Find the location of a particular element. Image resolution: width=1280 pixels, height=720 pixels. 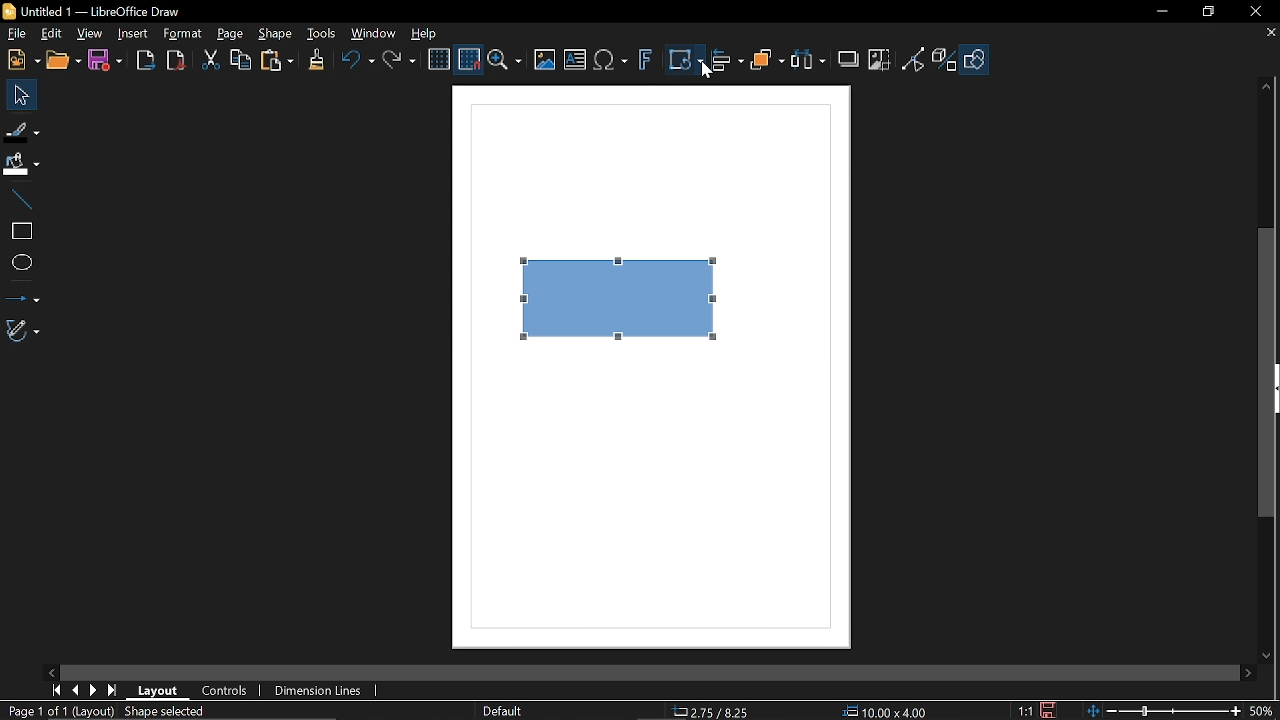

Shape is located at coordinates (977, 63).